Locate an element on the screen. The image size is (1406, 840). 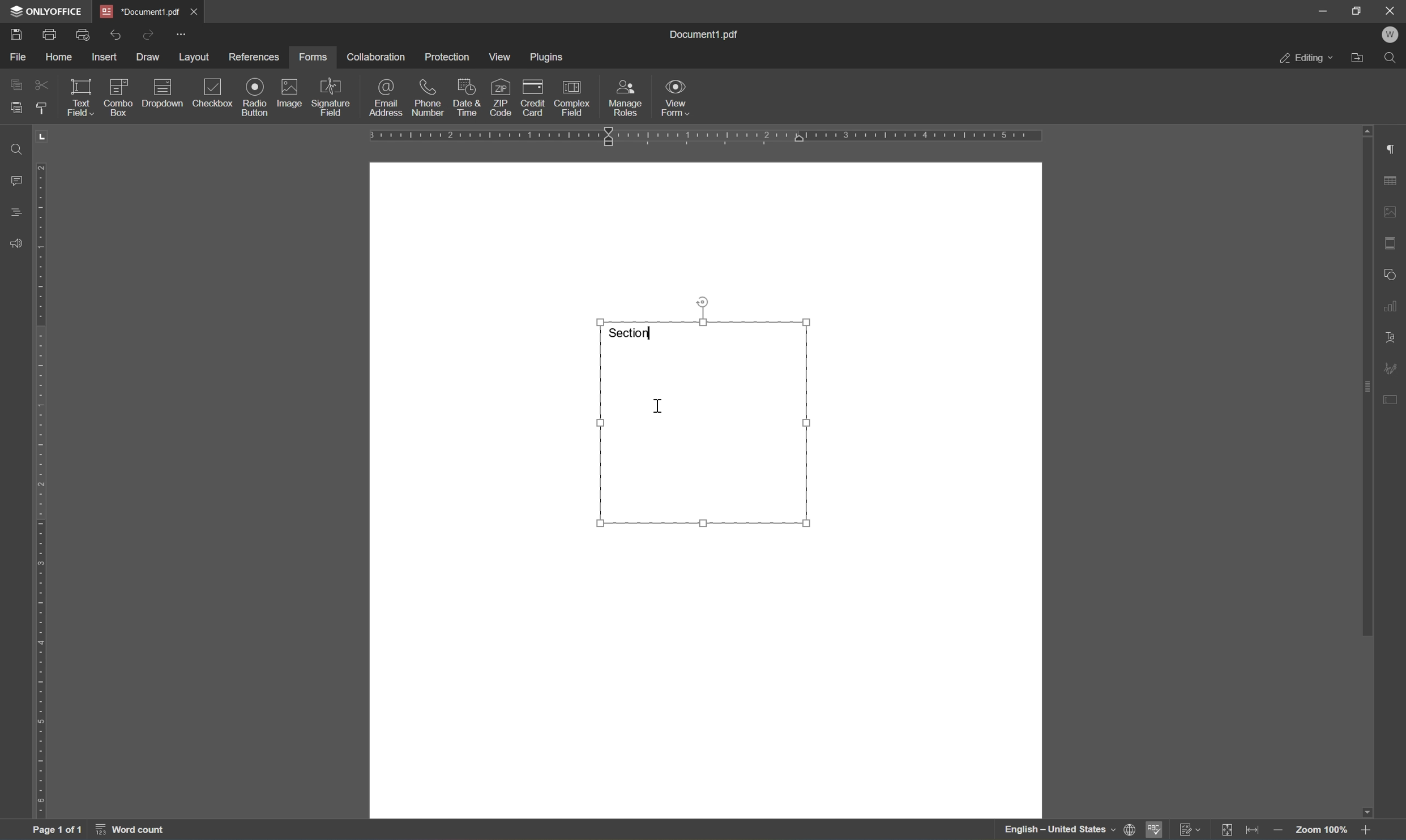
fit to slide is located at coordinates (1228, 830).